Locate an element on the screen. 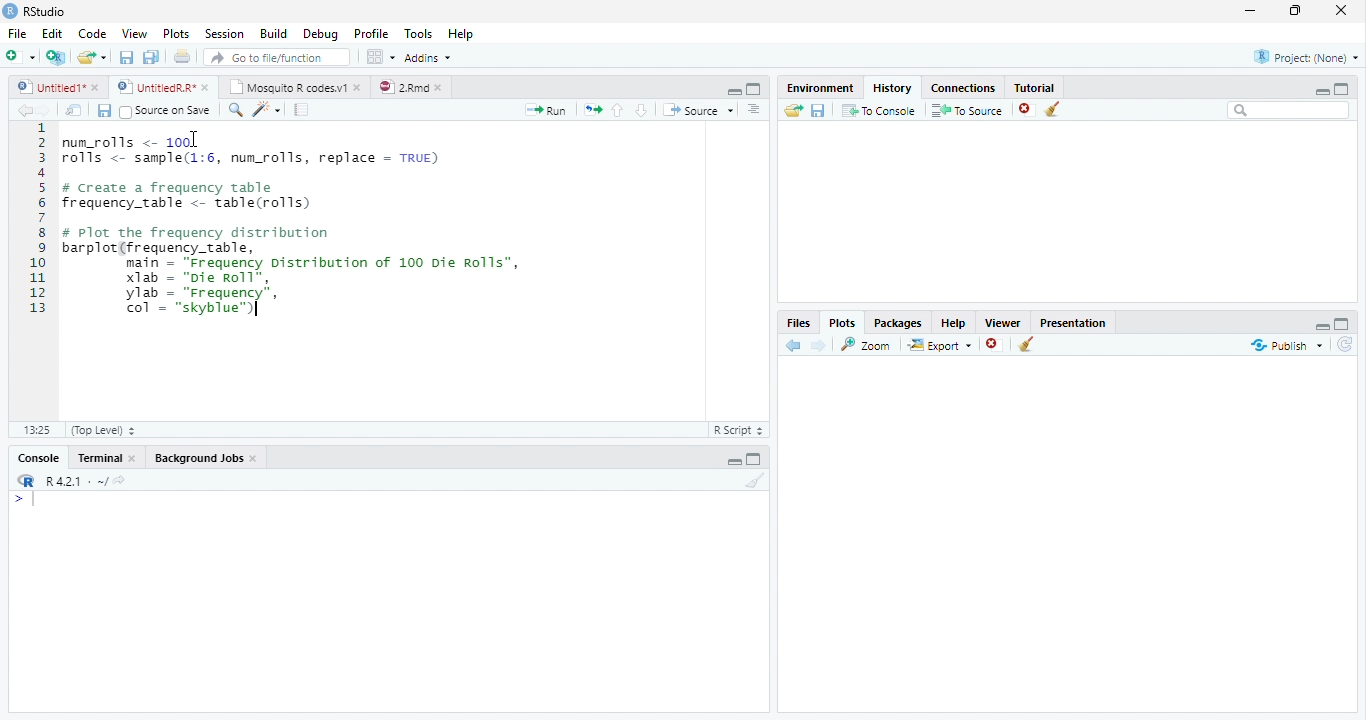 The width and height of the screenshot is (1366, 720). Go to next section of code is located at coordinates (642, 110).